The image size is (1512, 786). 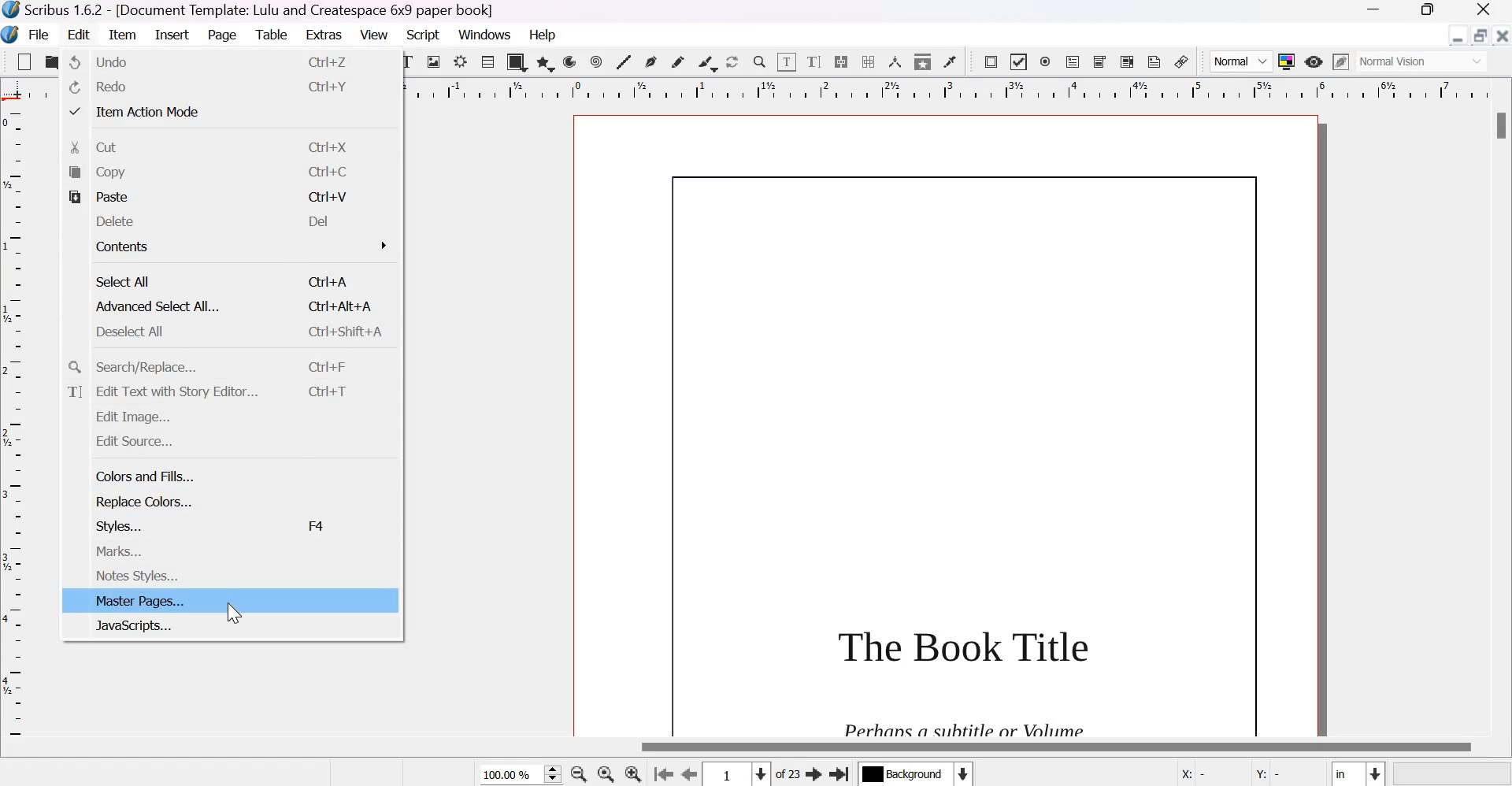 What do you see at coordinates (813, 773) in the screenshot?
I see `Go to the next page` at bounding box center [813, 773].